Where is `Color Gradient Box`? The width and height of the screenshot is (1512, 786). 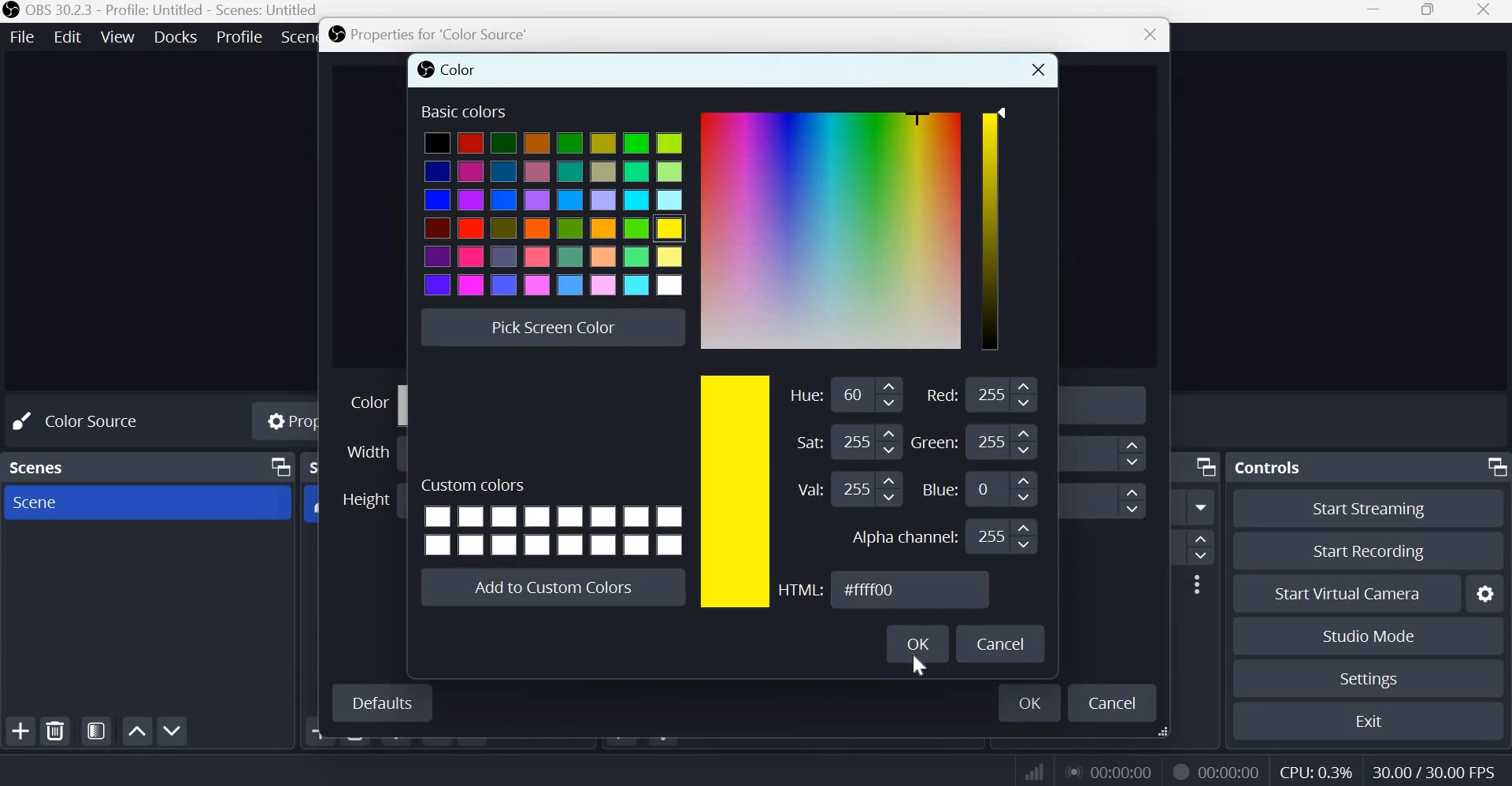
Color Gradient Box is located at coordinates (832, 231).